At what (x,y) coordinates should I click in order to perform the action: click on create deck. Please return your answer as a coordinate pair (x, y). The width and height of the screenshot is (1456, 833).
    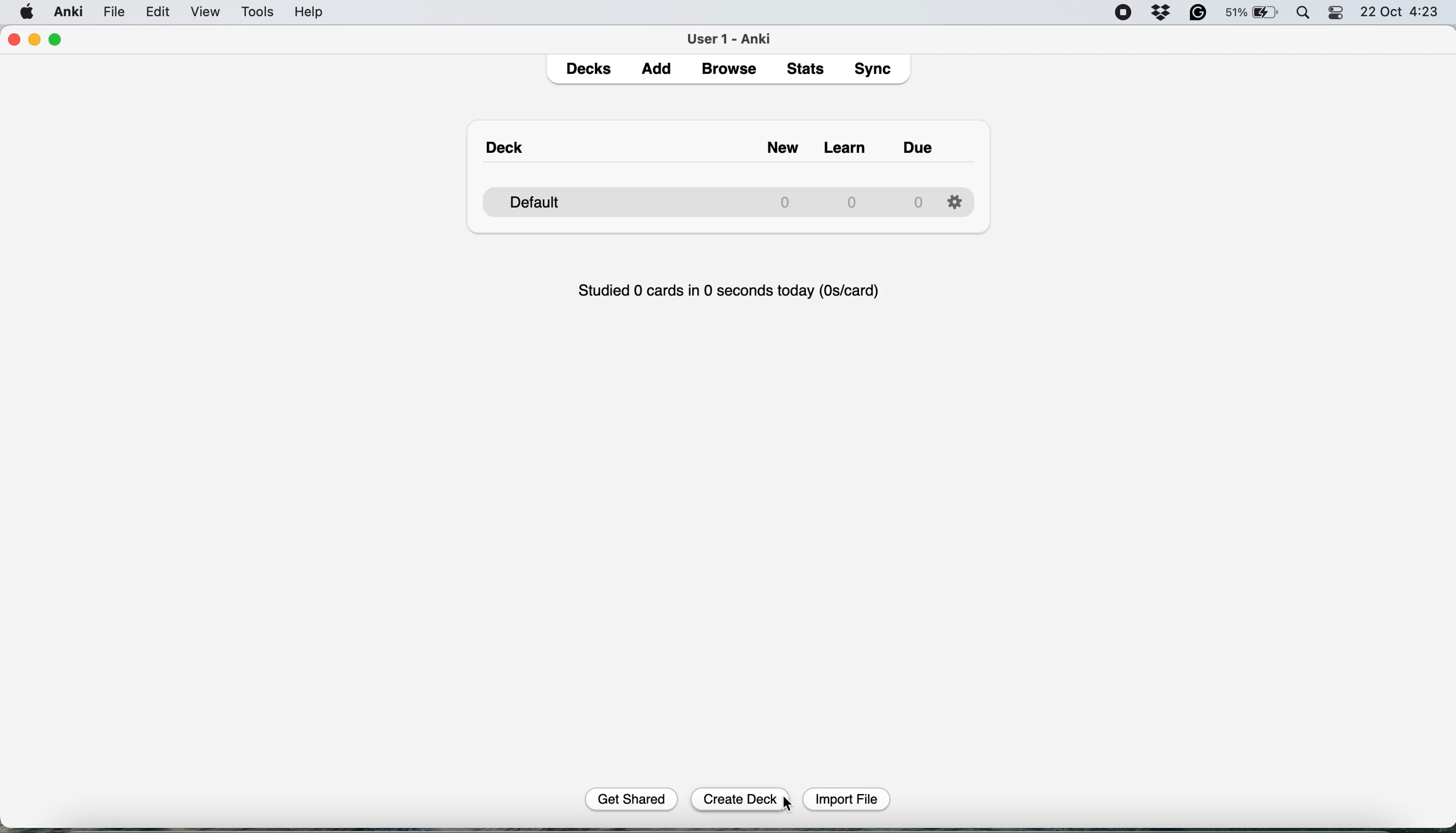
    Looking at the image, I should click on (742, 800).